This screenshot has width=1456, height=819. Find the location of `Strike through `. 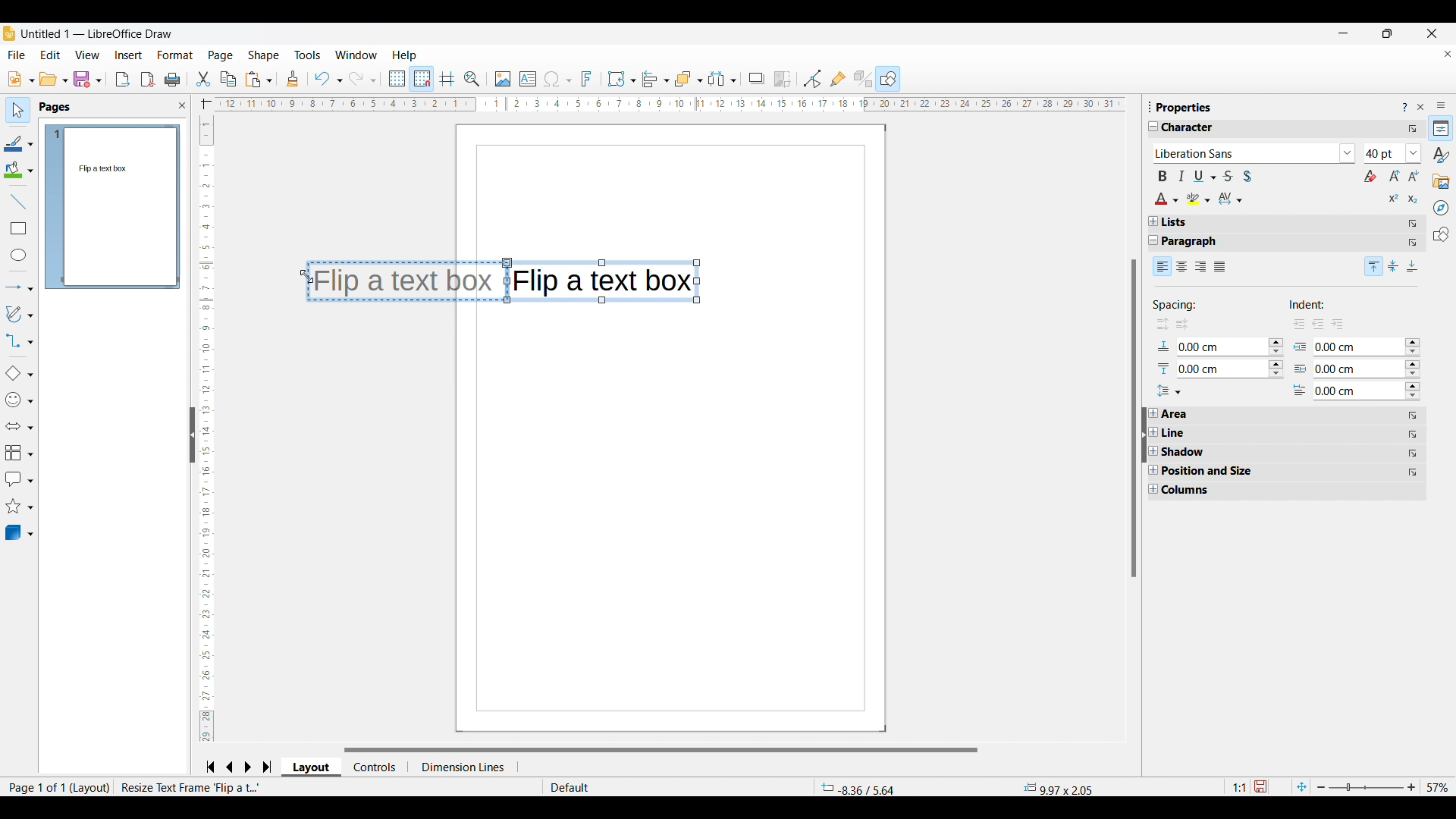

Strike through  is located at coordinates (1228, 176).